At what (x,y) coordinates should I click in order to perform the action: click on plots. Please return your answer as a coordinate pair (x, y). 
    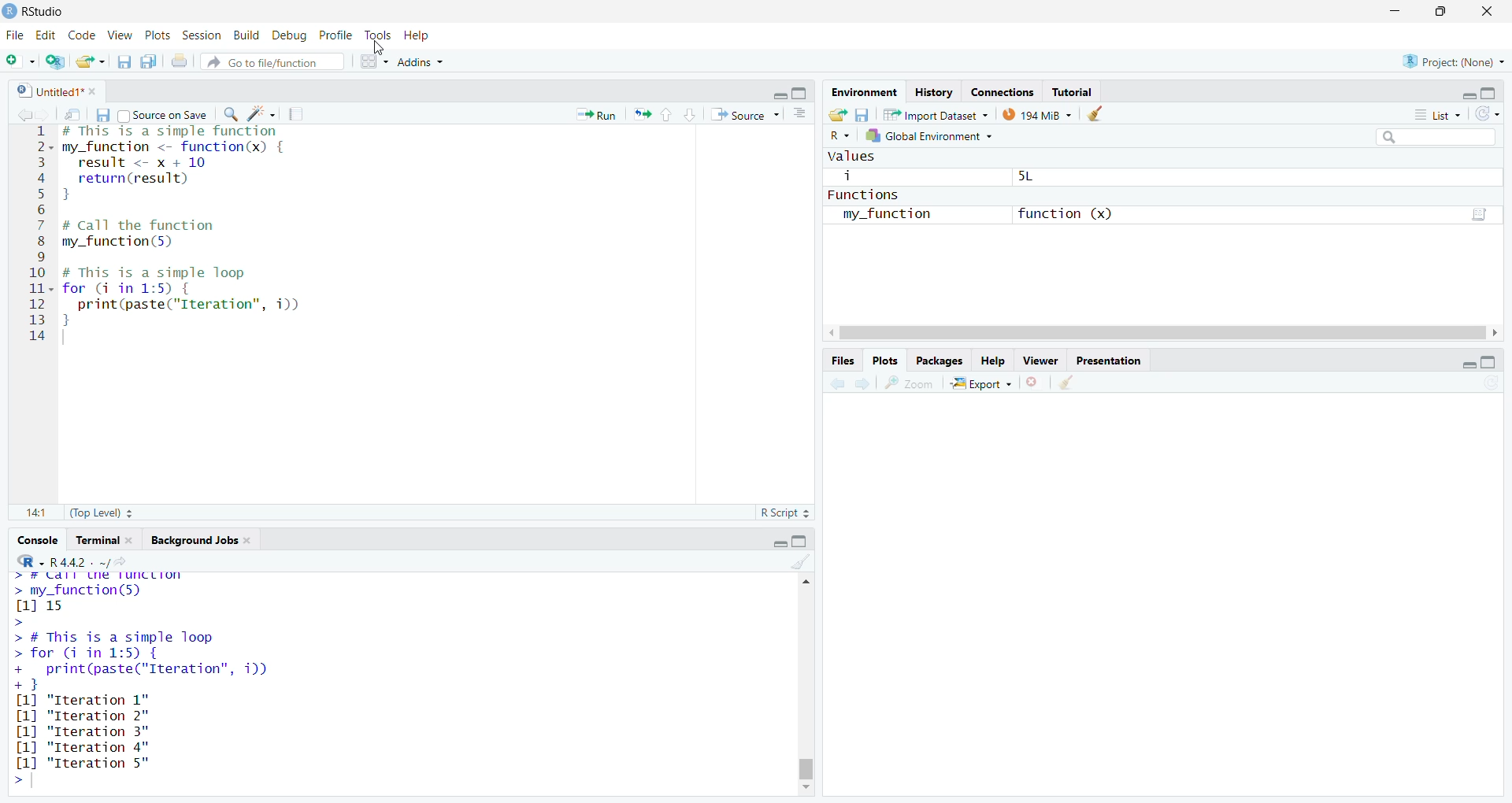
    Looking at the image, I should click on (886, 361).